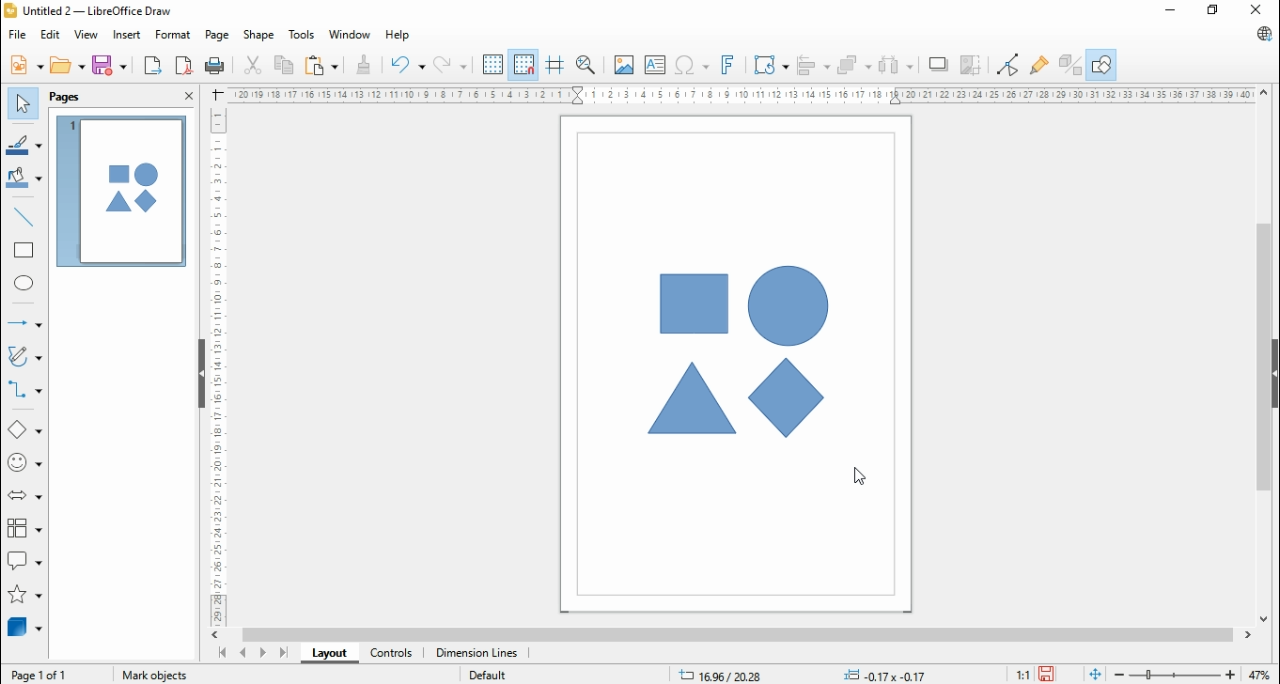 The height and width of the screenshot is (684, 1280). What do you see at coordinates (1104, 62) in the screenshot?
I see `show draw functions` at bounding box center [1104, 62].